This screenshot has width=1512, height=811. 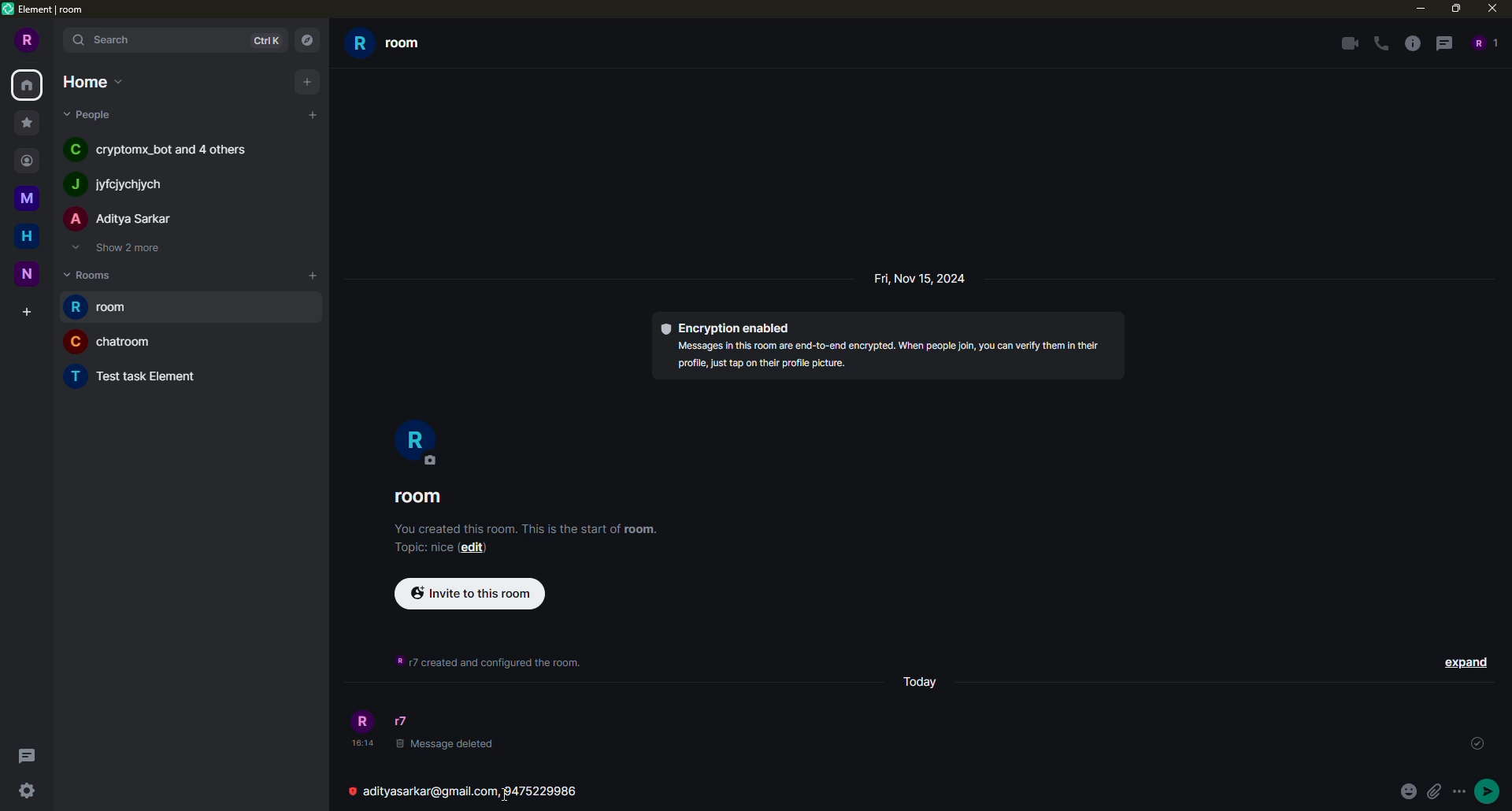 I want to click on home, so click(x=92, y=80).